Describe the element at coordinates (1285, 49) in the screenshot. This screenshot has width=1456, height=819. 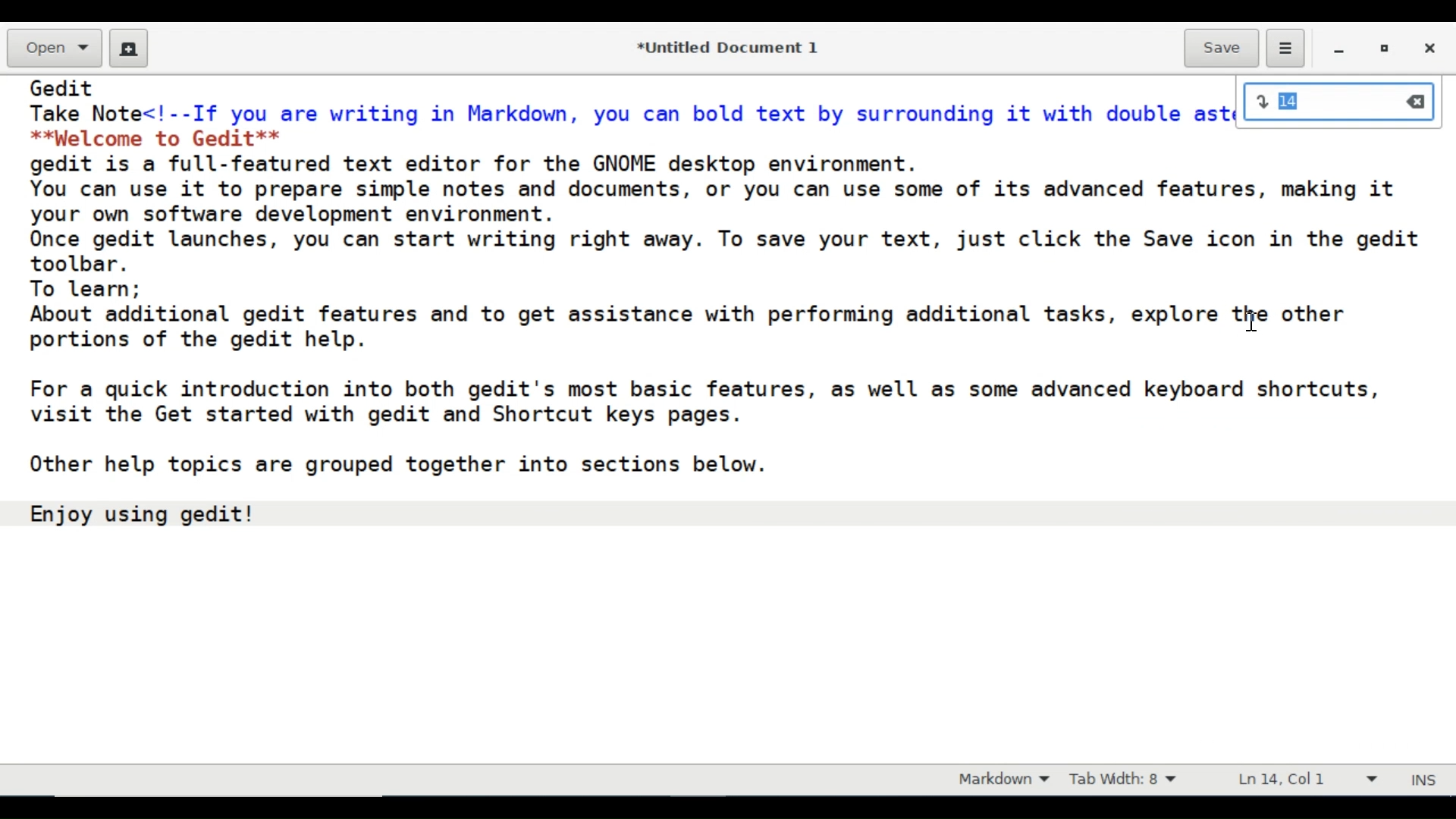
I see `Application menu` at that location.